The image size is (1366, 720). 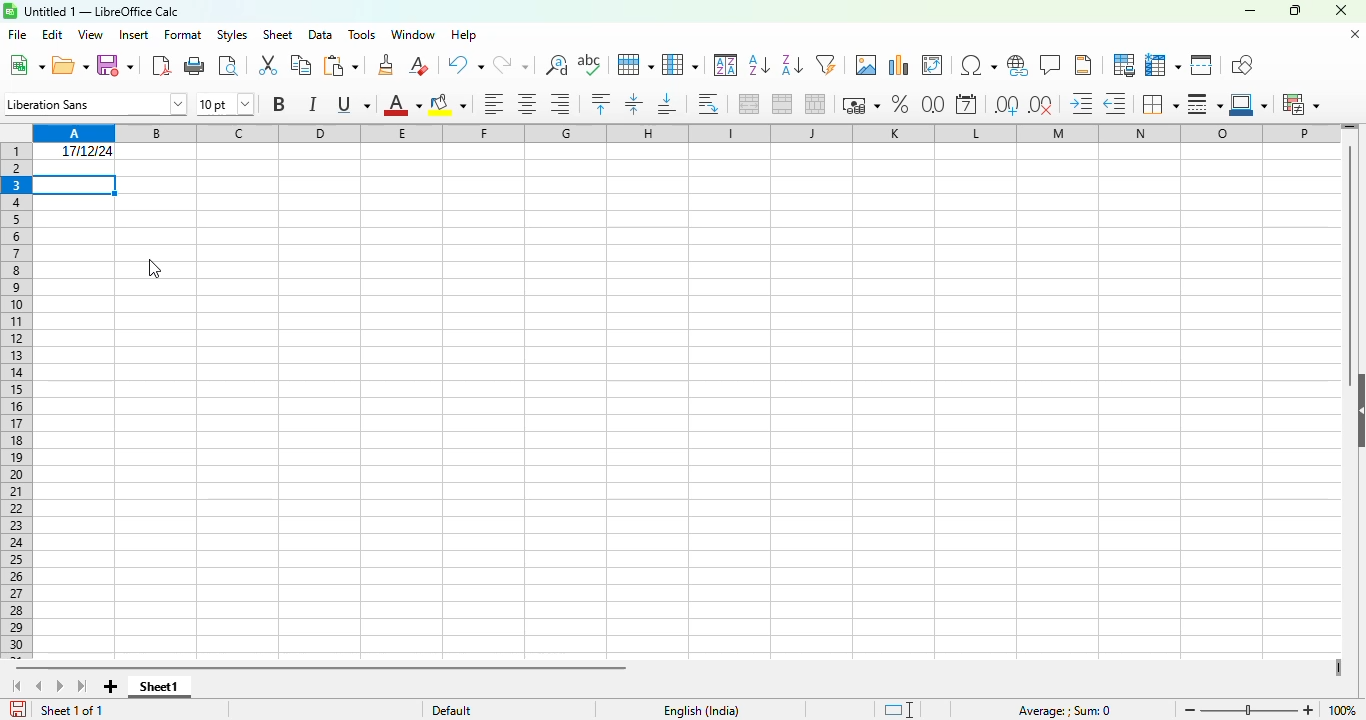 What do you see at coordinates (1340, 10) in the screenshot?
I see `close` at bounding box center [1340, 10].